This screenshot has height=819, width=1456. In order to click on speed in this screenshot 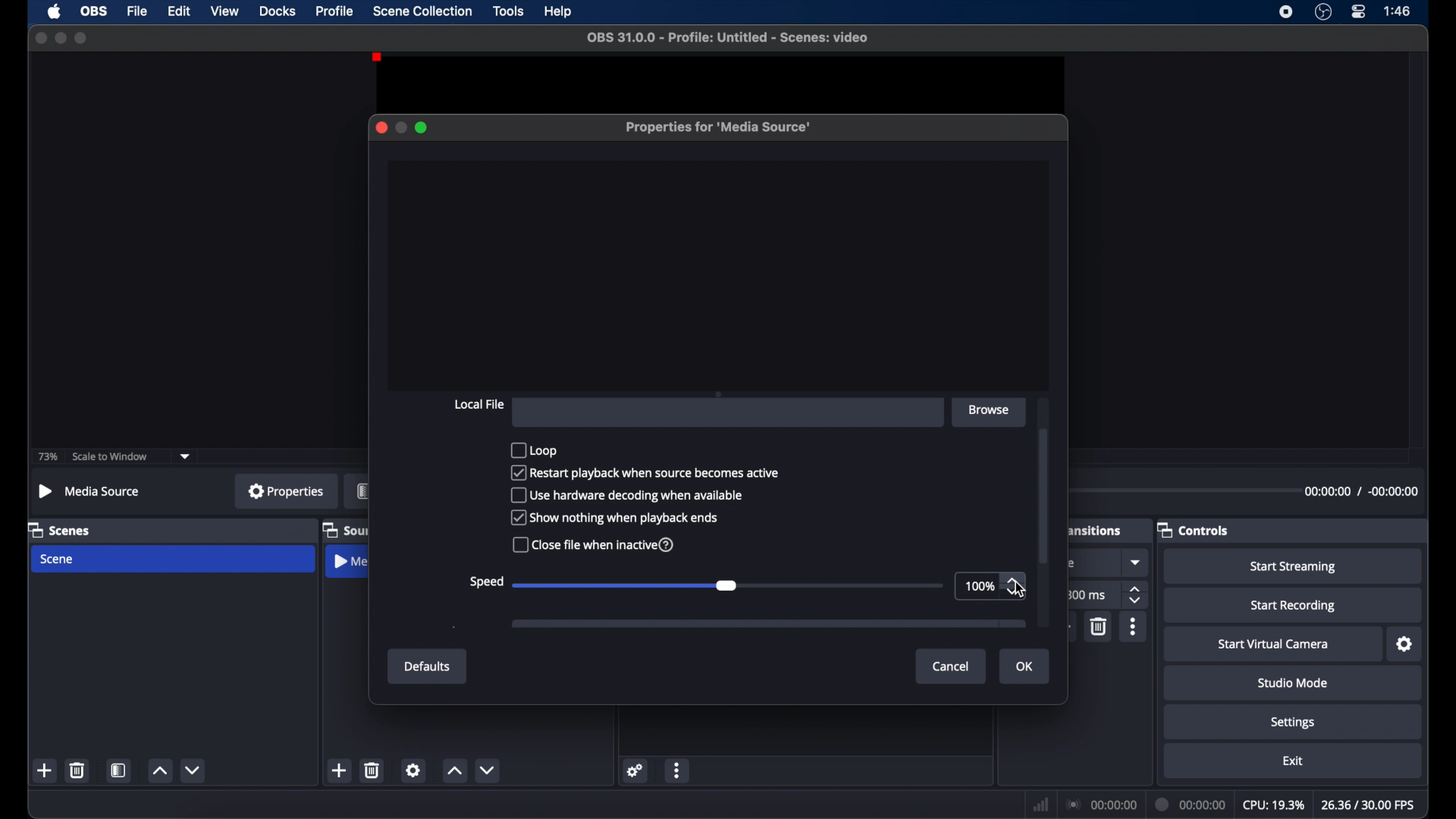, I will do `click(485, 582)`.